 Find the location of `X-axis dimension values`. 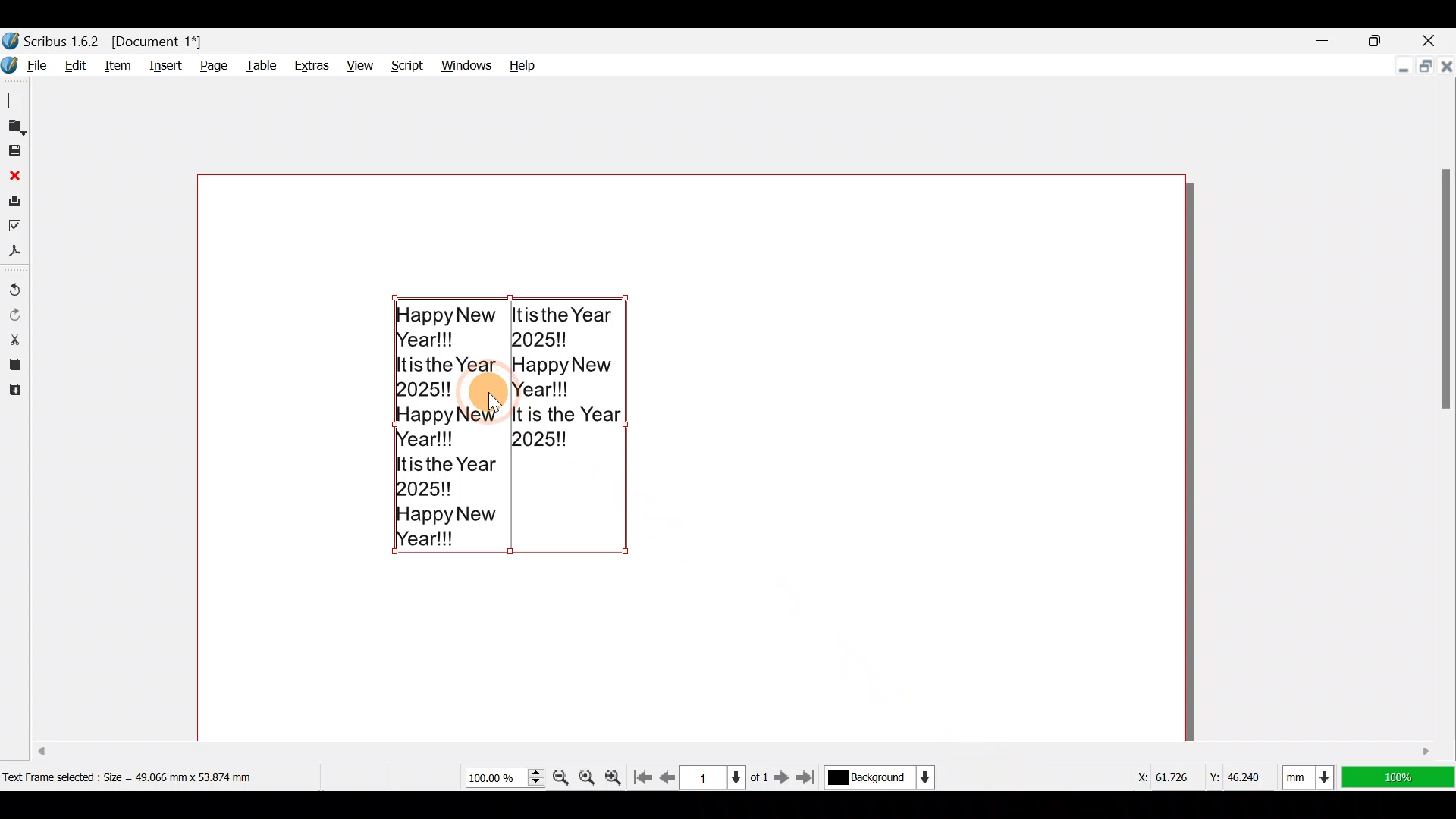

X-axis dimension values is located at coordinates (1161, 776).